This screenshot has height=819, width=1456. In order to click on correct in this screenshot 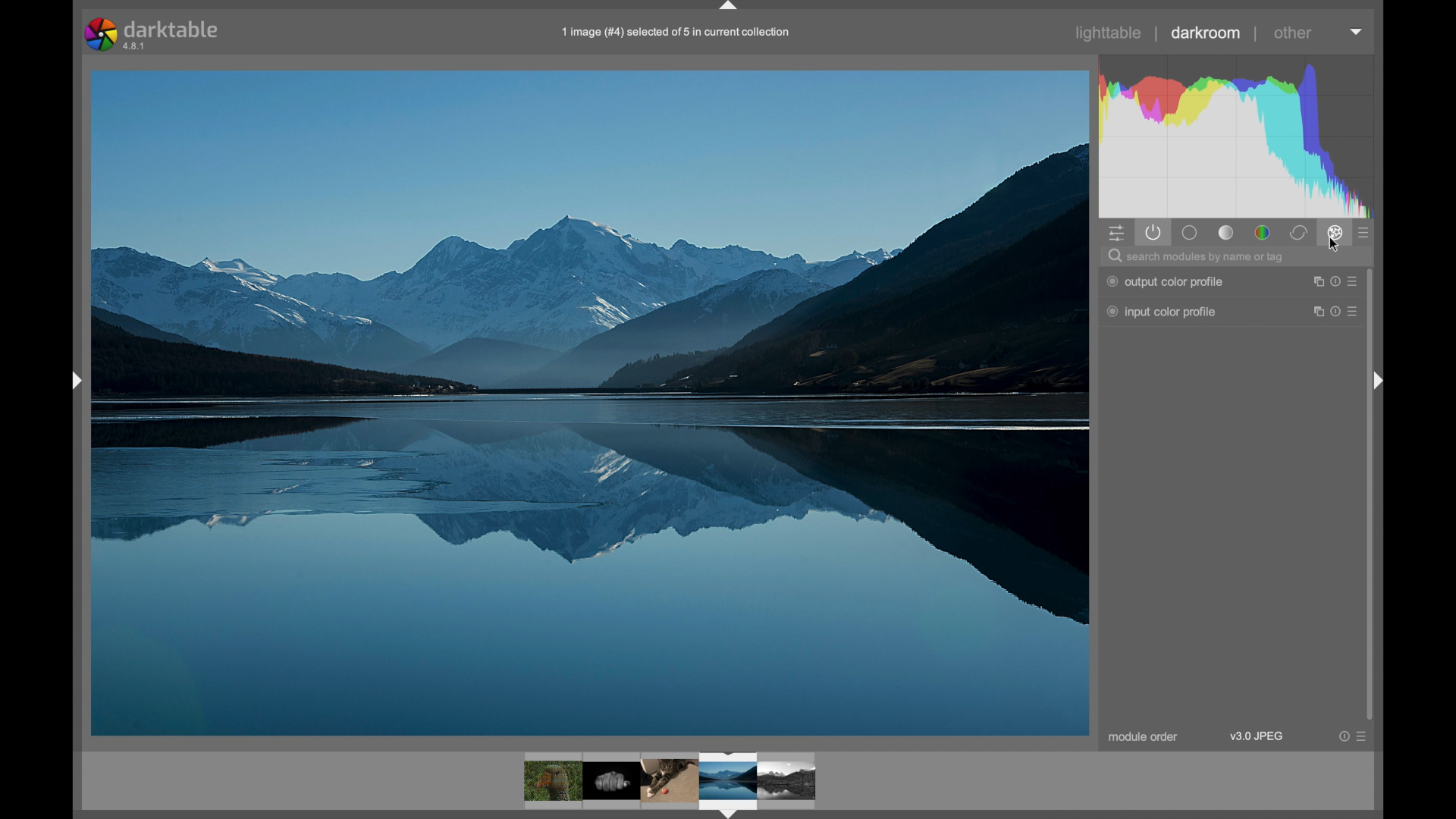, I will do `click(1300, 232)`.